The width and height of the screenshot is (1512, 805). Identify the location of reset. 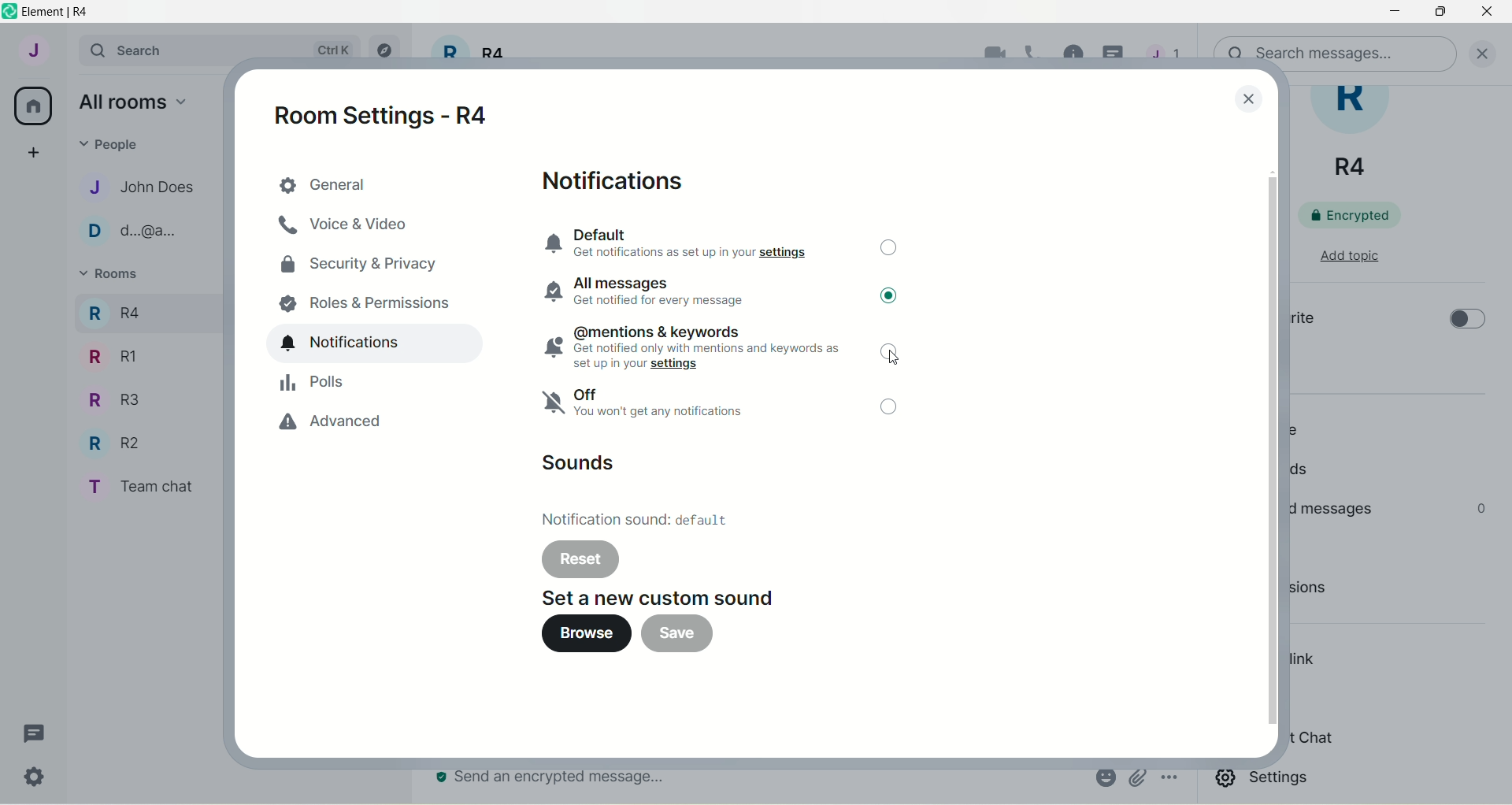
(580, 559).